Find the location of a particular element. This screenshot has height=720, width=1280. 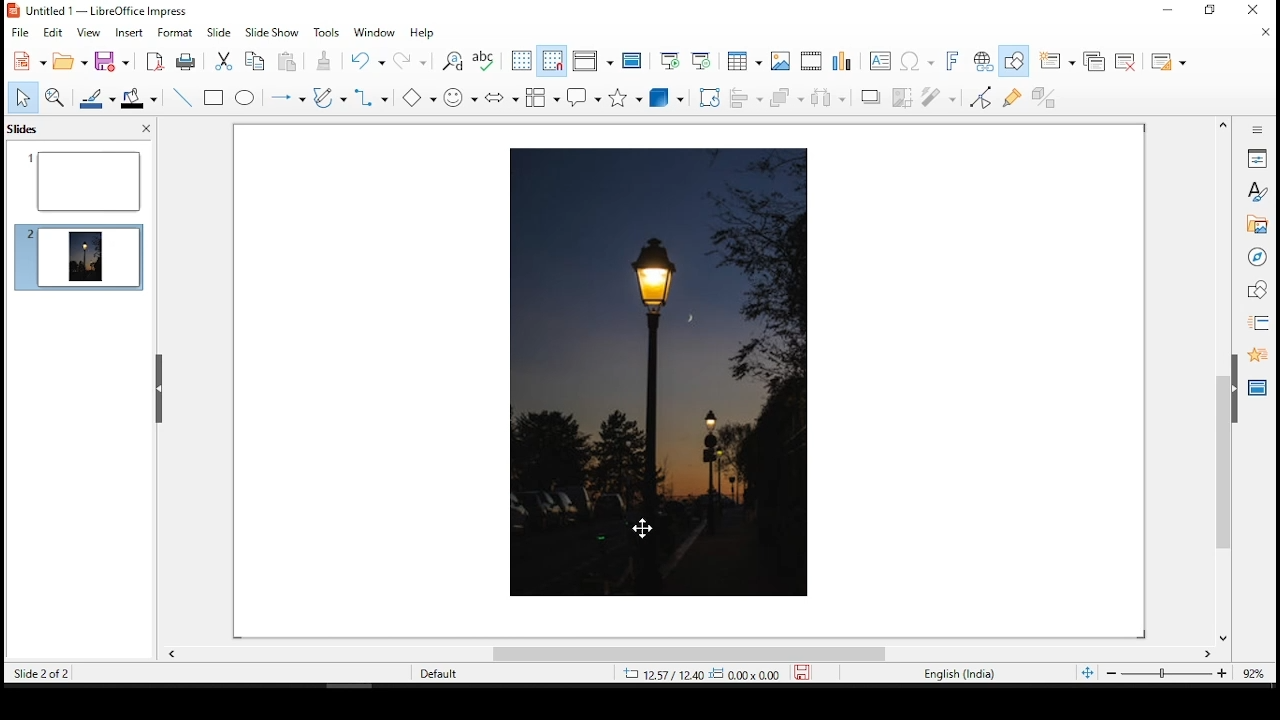

Dimensions is located at coordinates (722, 674).